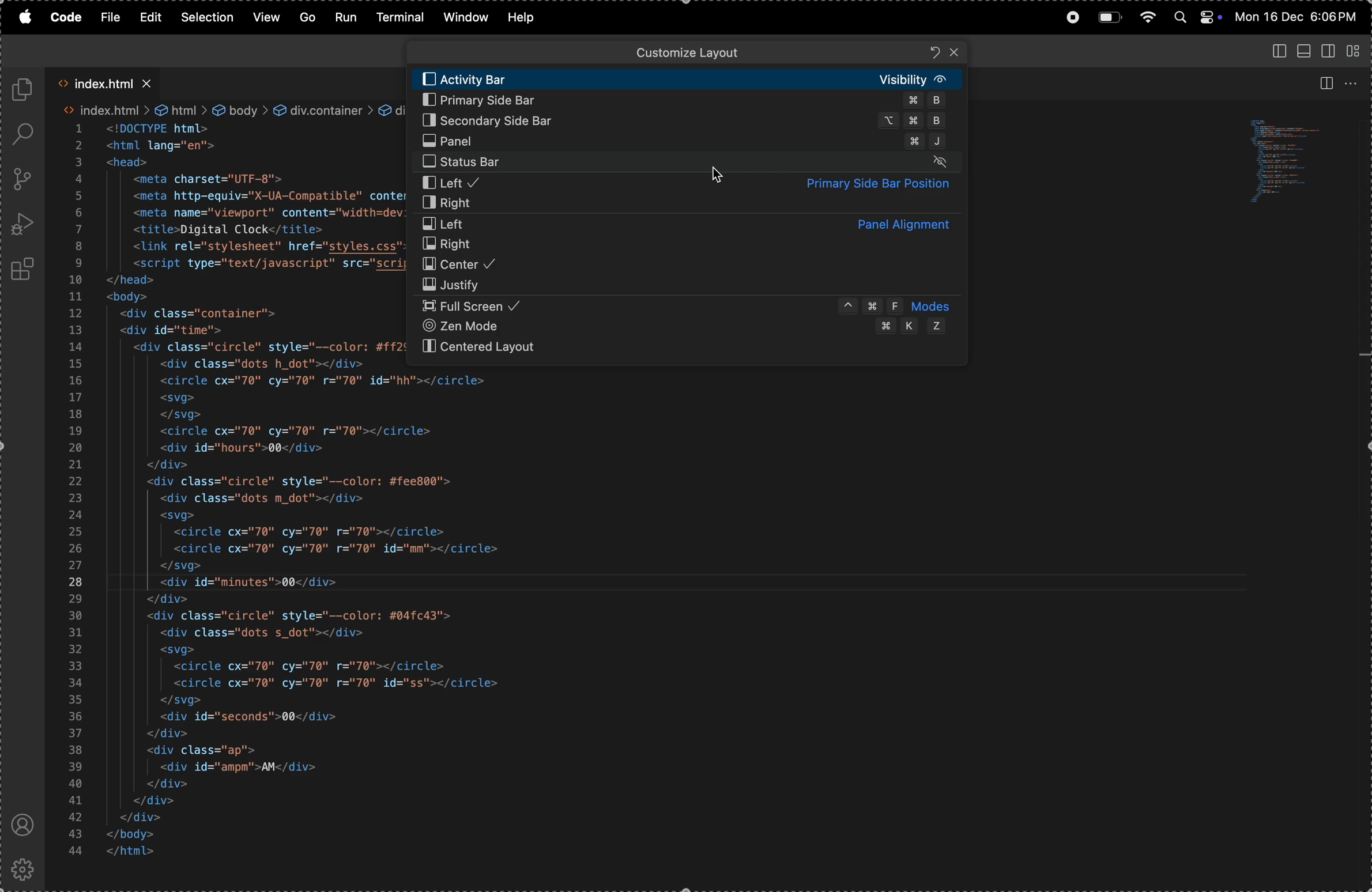 Image resolution: width=1372 pixels, height=892 pixels. I want to click on profile, so click(24, 825).